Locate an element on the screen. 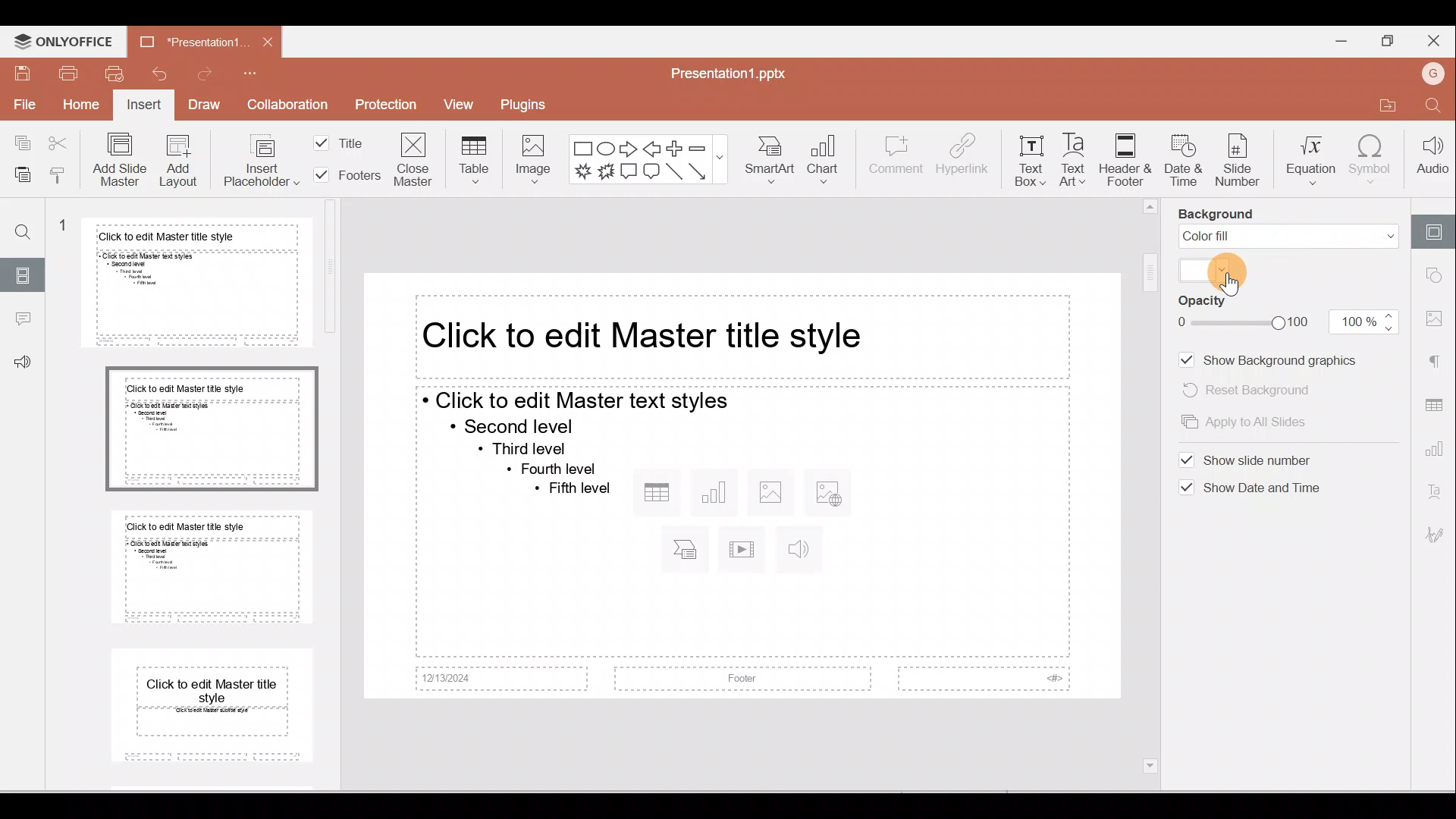  Quick print is located at coordinates (115, 73).